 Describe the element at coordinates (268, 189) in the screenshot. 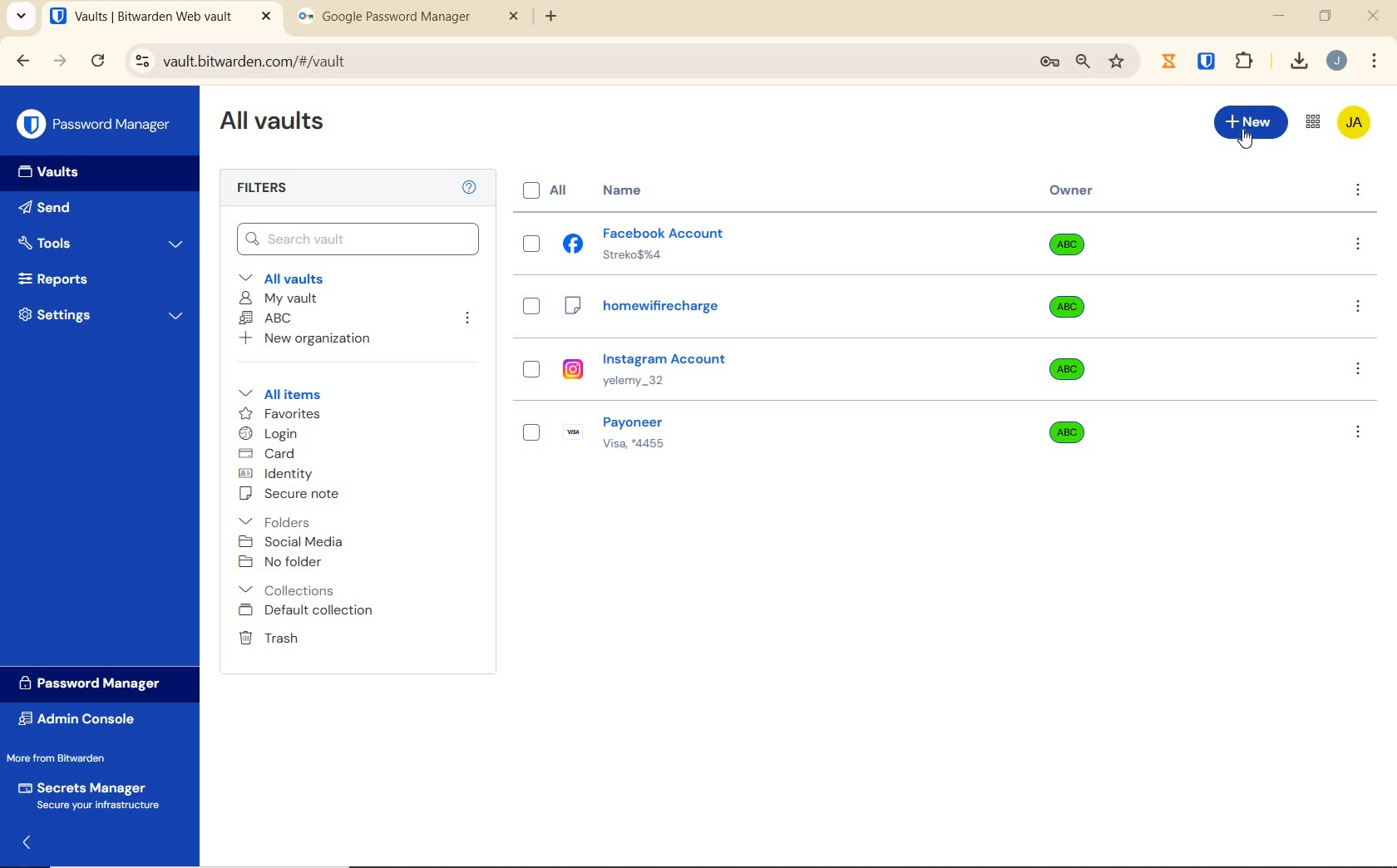

I see `Filters` at that location.